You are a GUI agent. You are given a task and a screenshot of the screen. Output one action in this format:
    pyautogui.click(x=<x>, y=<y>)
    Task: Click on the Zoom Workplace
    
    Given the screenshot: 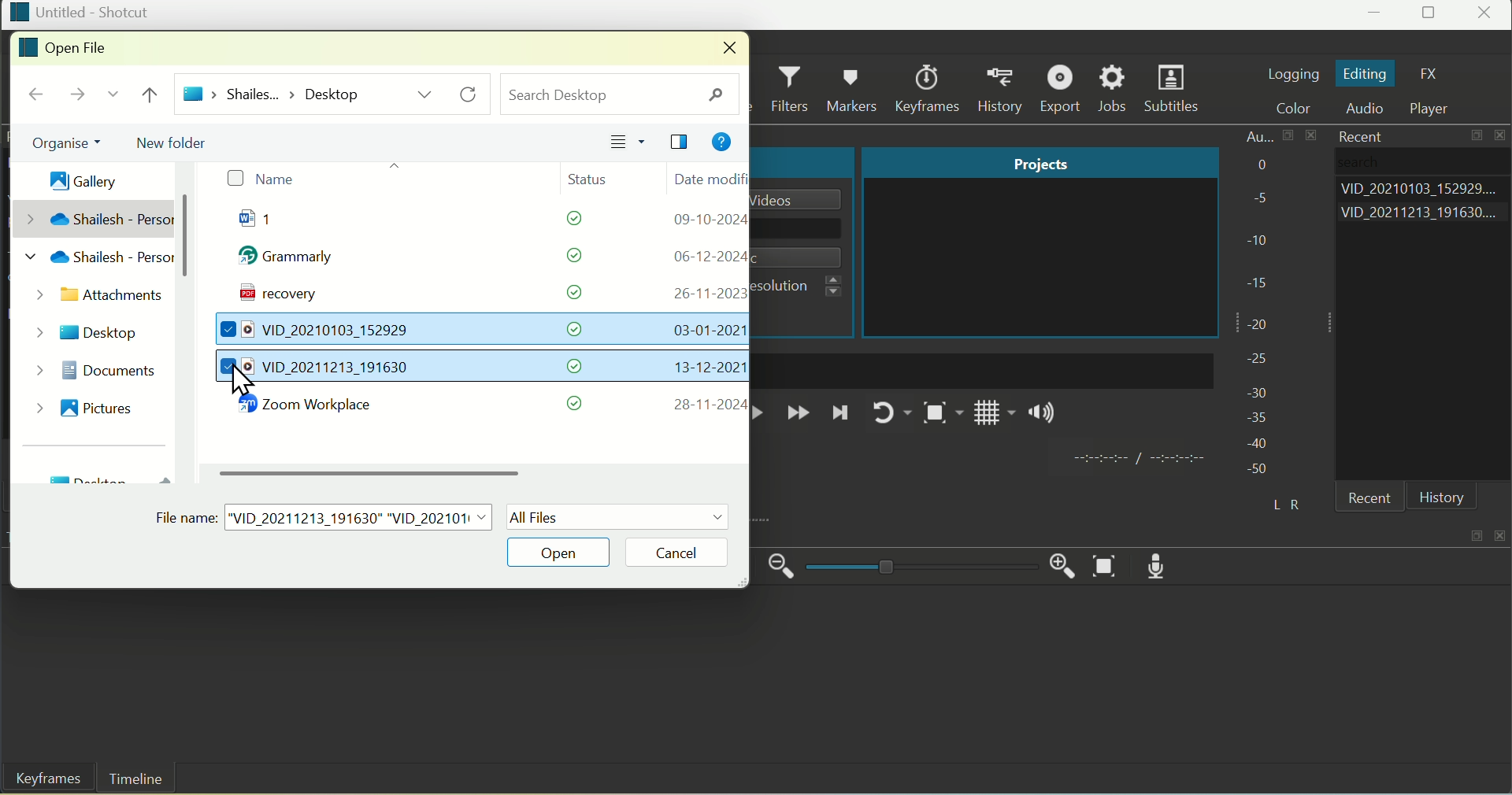 What is the action you would take?
    pyautogui.click(x=314, y=406)
    